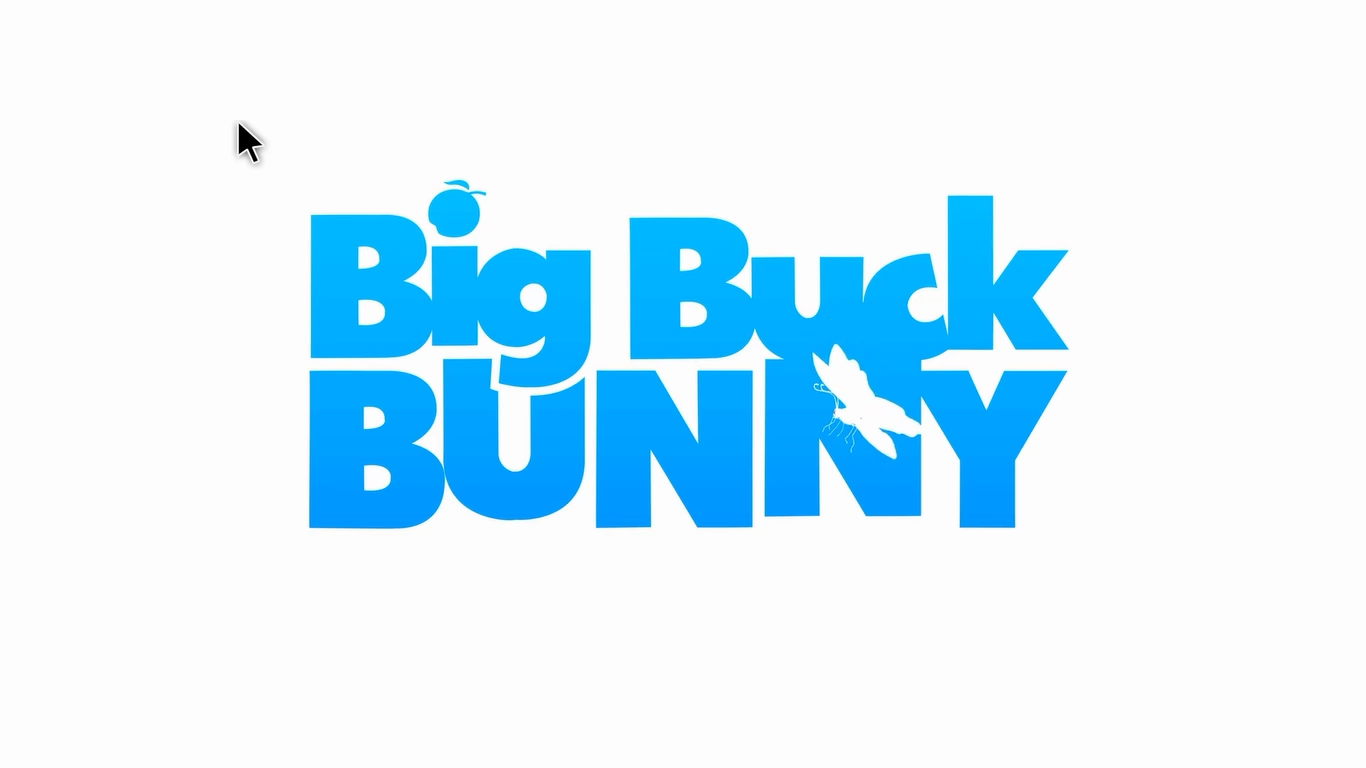  Describe the element at coordinates (663, 346) in the screenshot. I see `streaming` at that location.